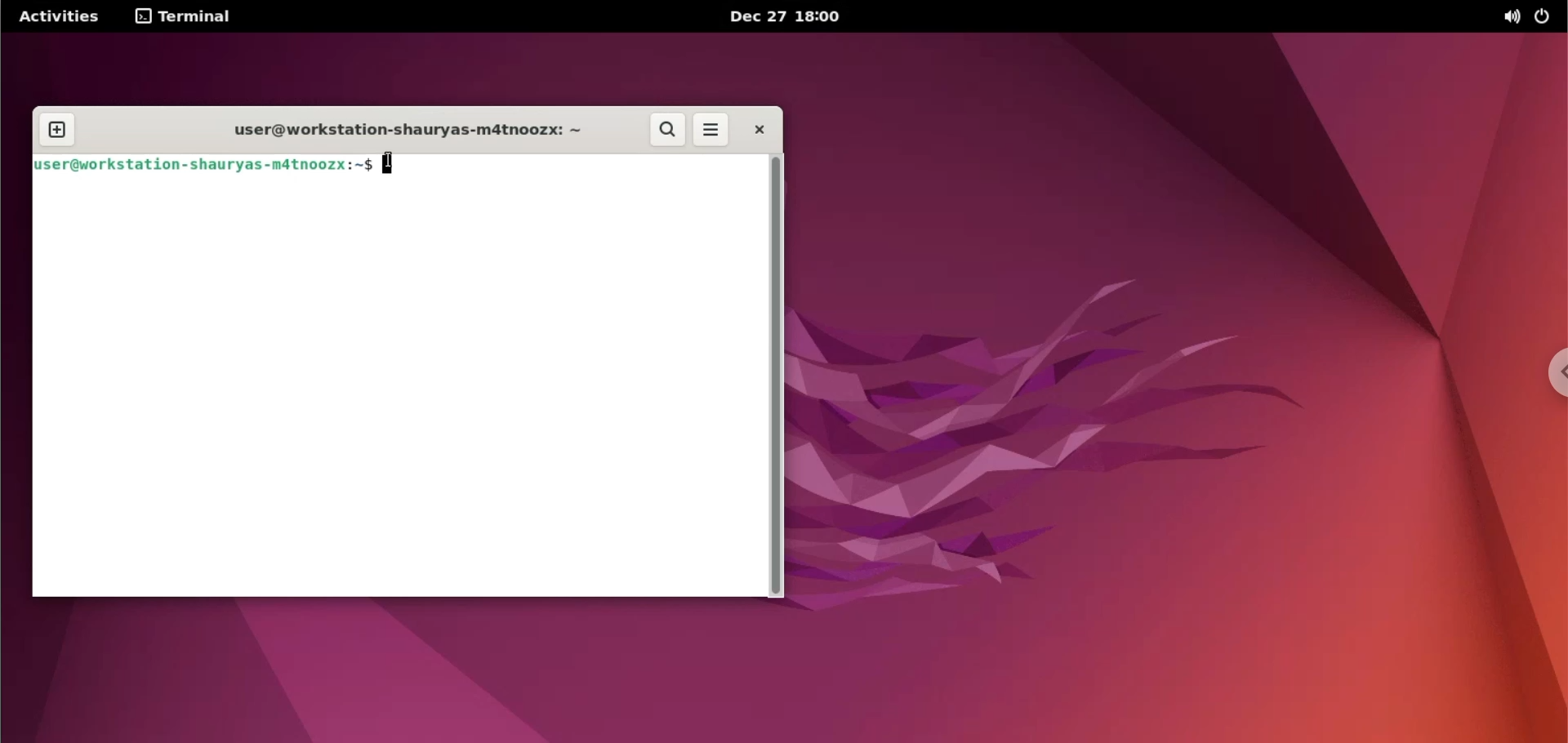  I want to click on   user@workstation-shauryas-m4tnoozx: ~, so click(204, 164).